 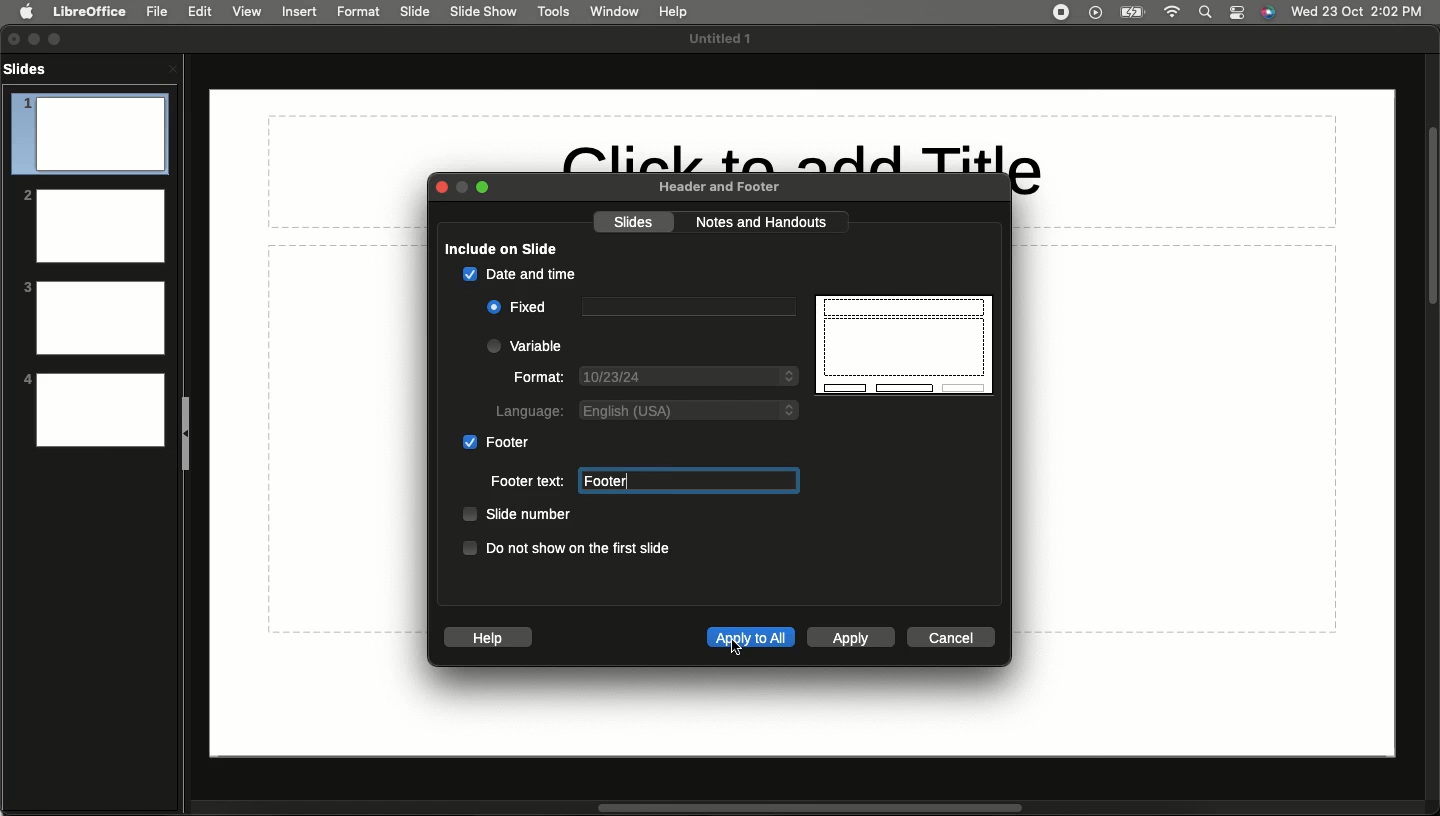 I want to click on Collapse, so click(x=188, y=432).